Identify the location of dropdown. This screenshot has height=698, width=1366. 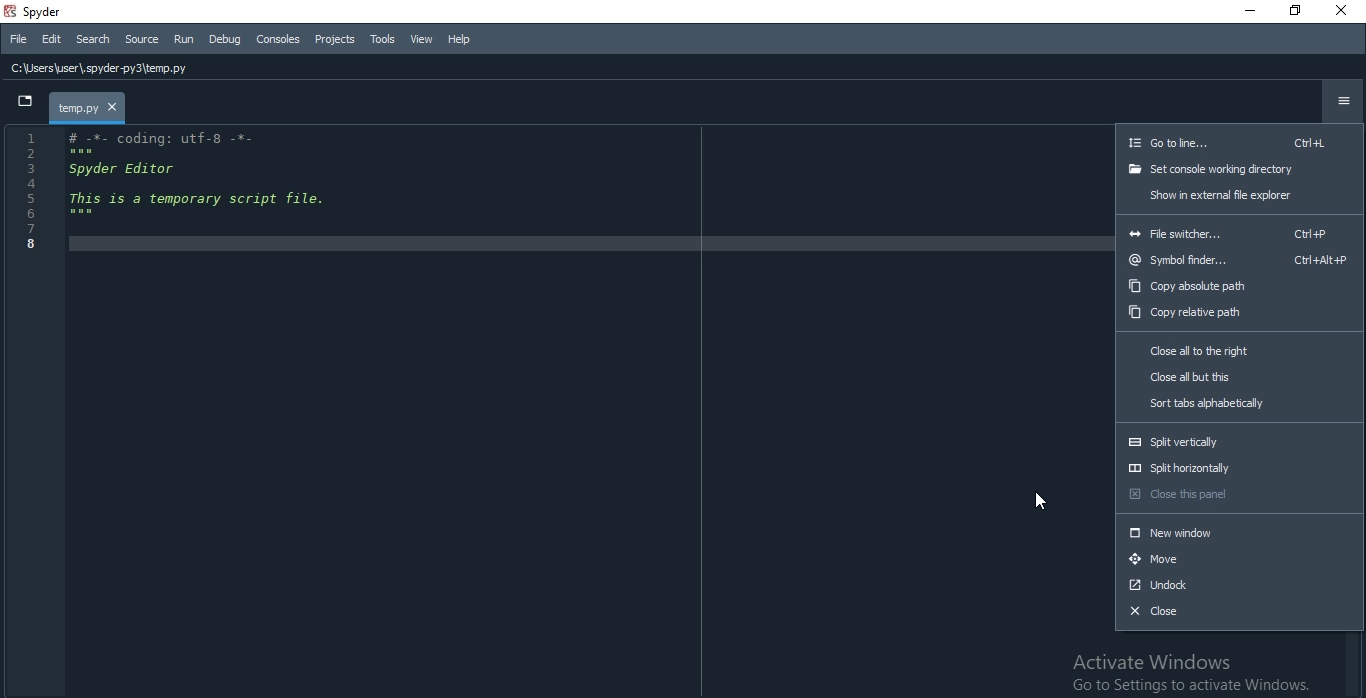
(25, 104).